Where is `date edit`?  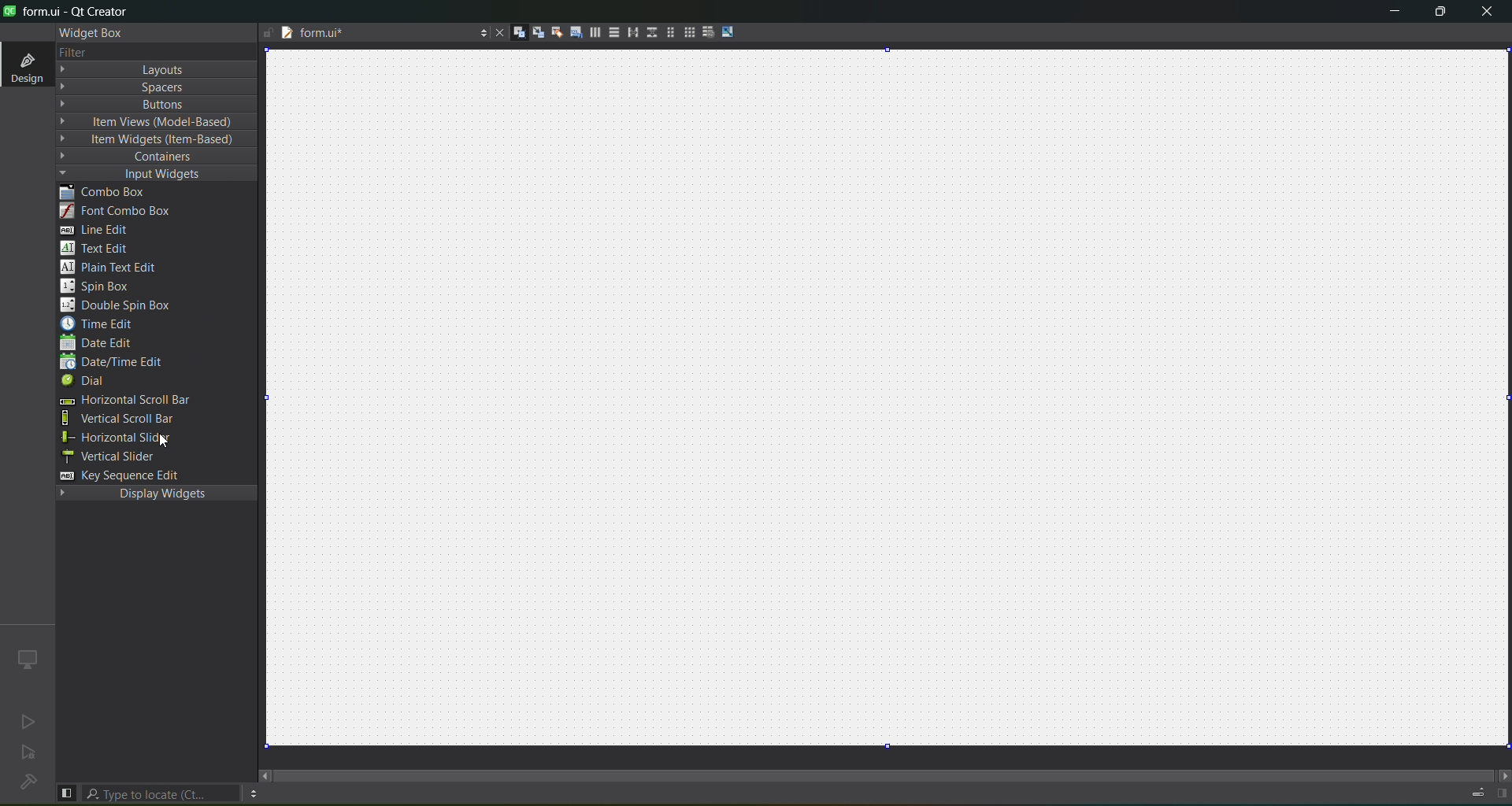 date edit is located at coordinates (108, 342).